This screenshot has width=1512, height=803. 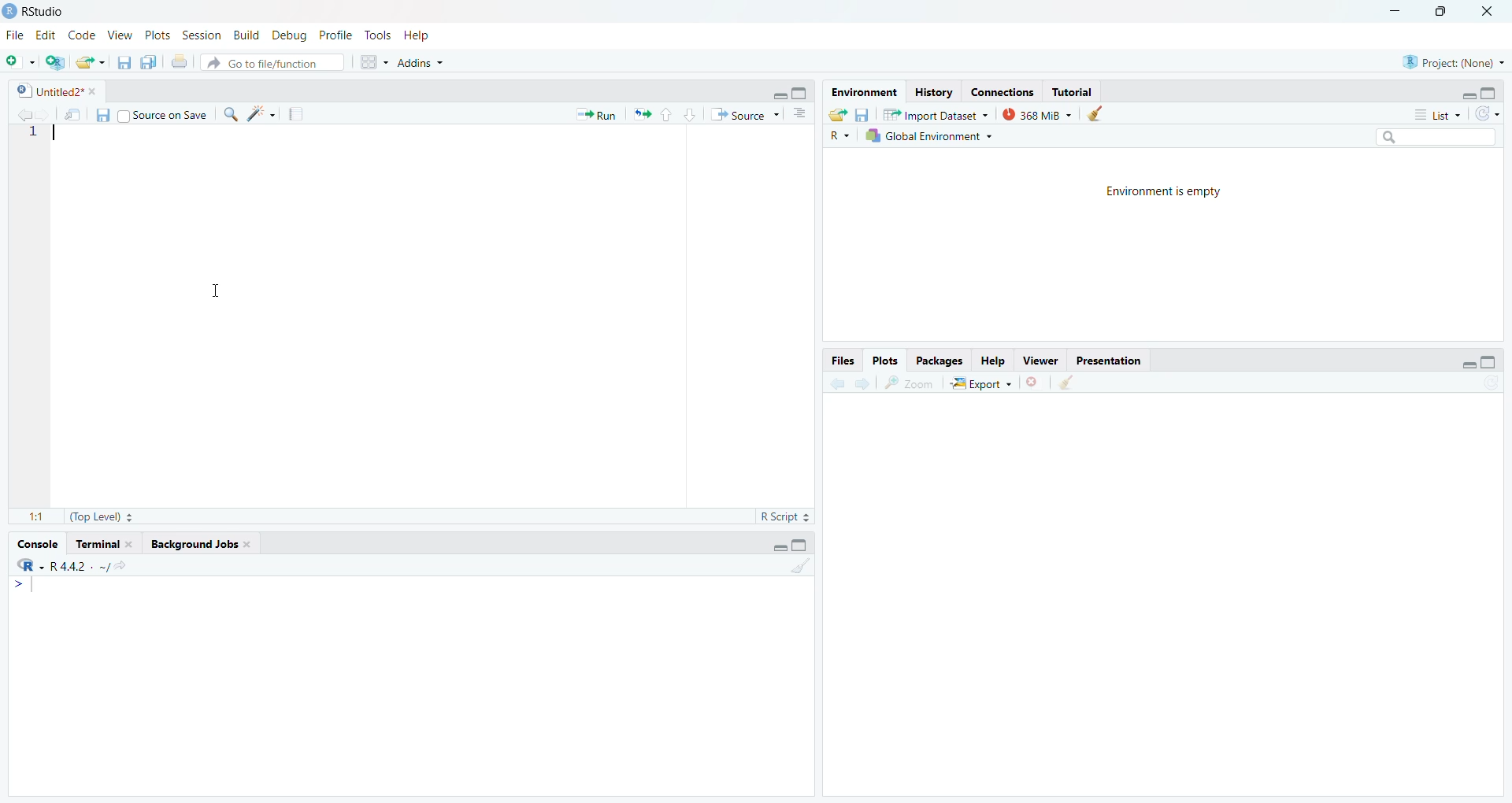 What do you see at coordinates (797, 566) in the screenshot?
I see `clear` at bounding box center [797, 566].